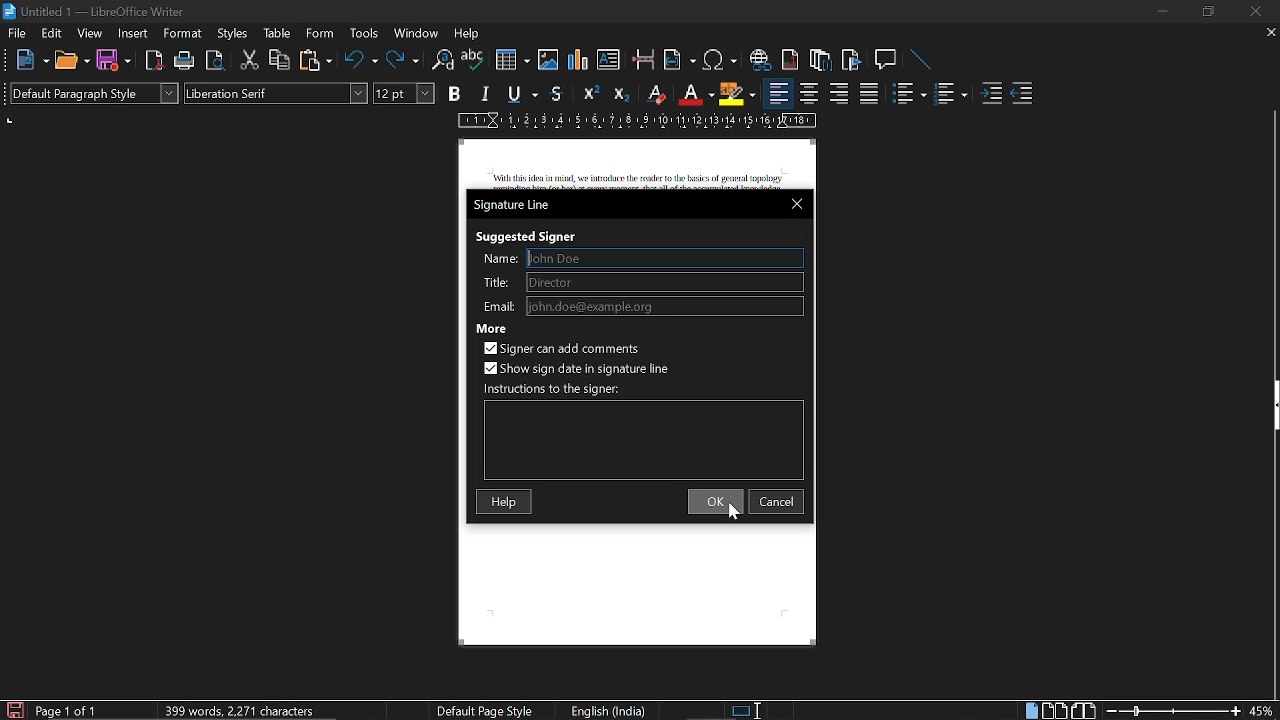 This screenshot has height=720, width=1280. What do you see at coordinates (577, 367) in the screenshot?
I see `show sign date in signature line` at bounding box center [577, 367].